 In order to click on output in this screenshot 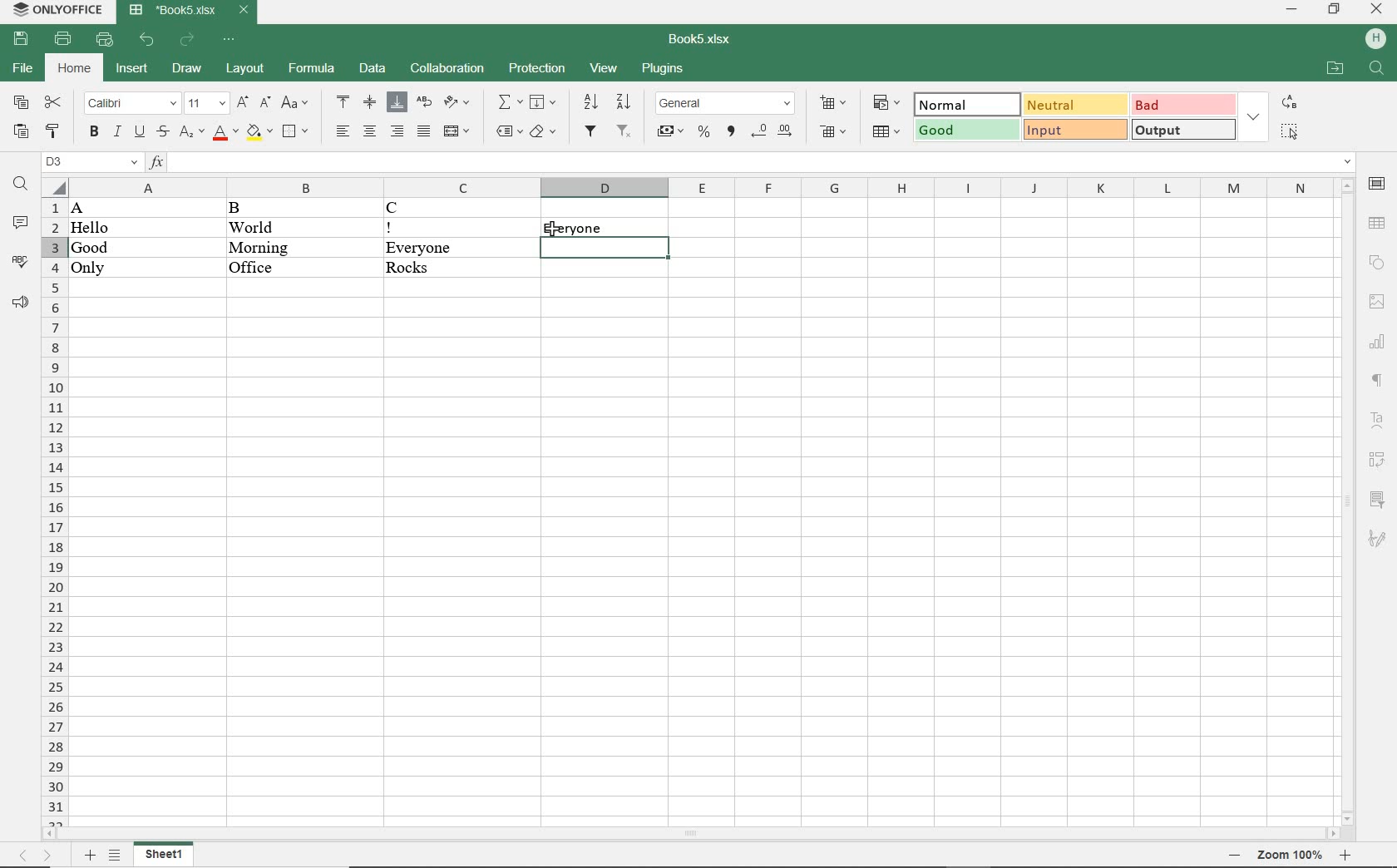, I will do `click(1182, 131)`.